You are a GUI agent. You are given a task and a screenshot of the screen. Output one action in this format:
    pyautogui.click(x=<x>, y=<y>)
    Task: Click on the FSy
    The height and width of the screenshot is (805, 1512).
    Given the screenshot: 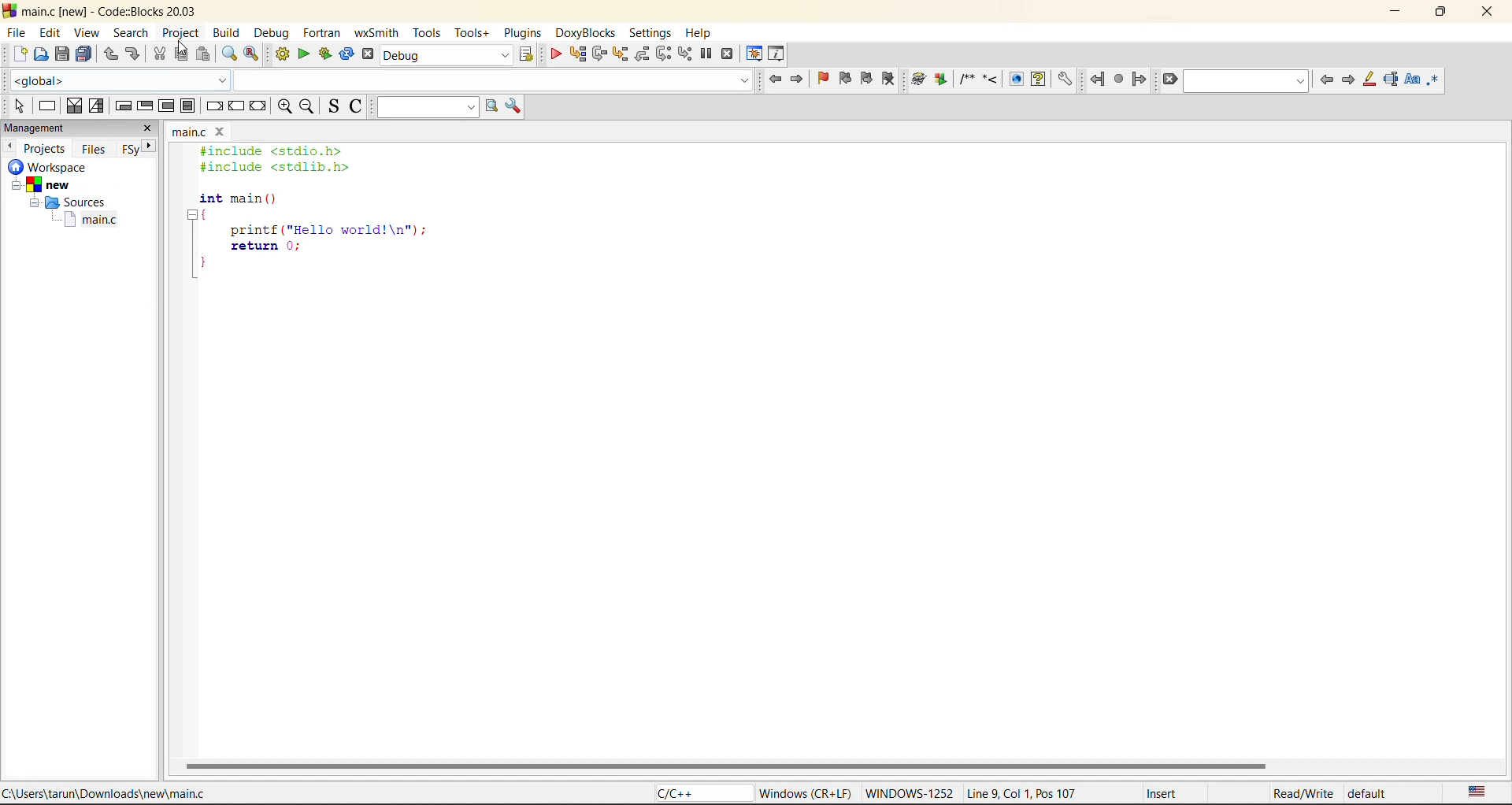 What is the action you would take?
    pyautogui.click(x=131, y=148)
    